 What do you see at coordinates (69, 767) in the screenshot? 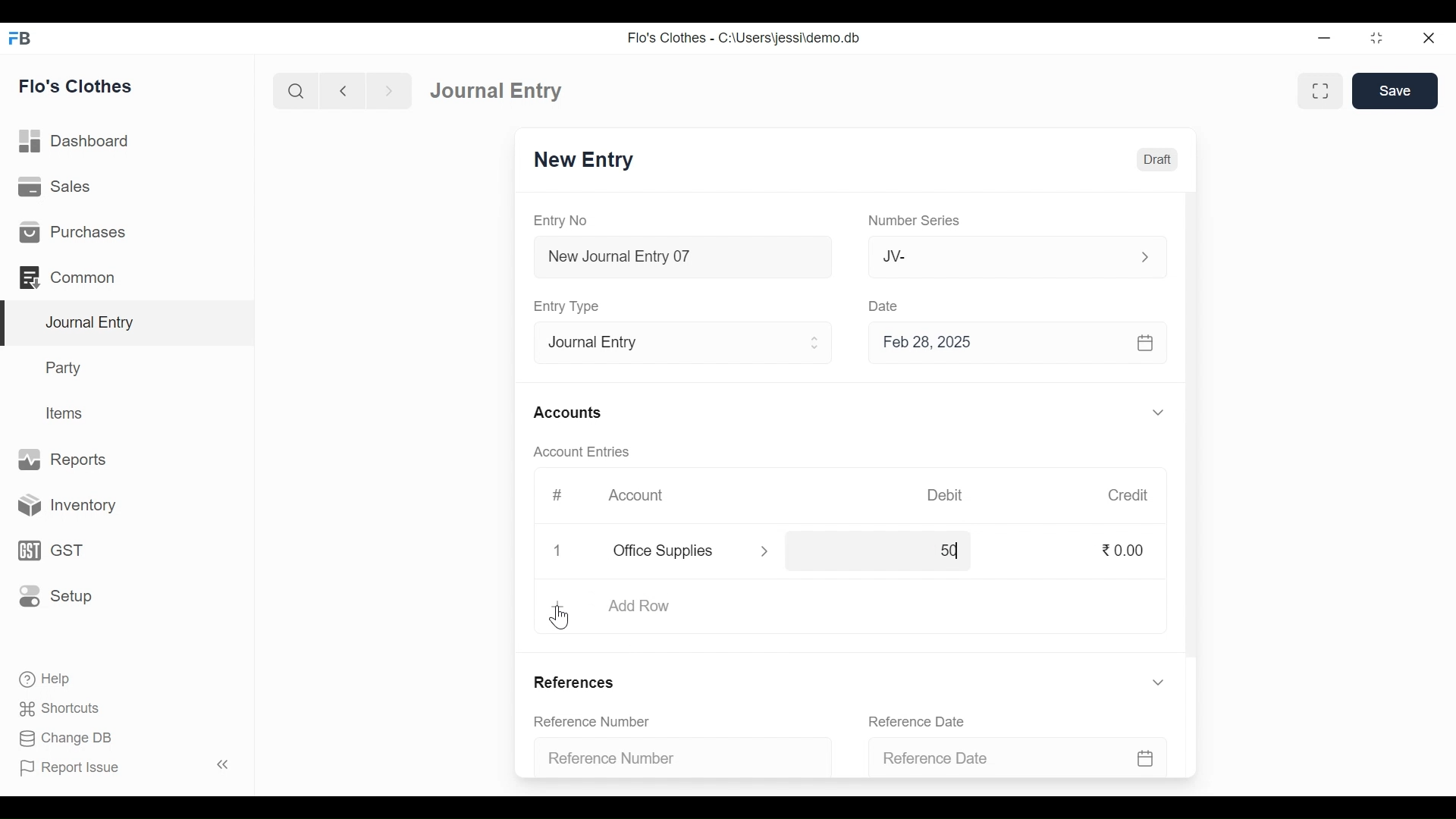
I see `Report Issue` at bounding box center [69, 767].